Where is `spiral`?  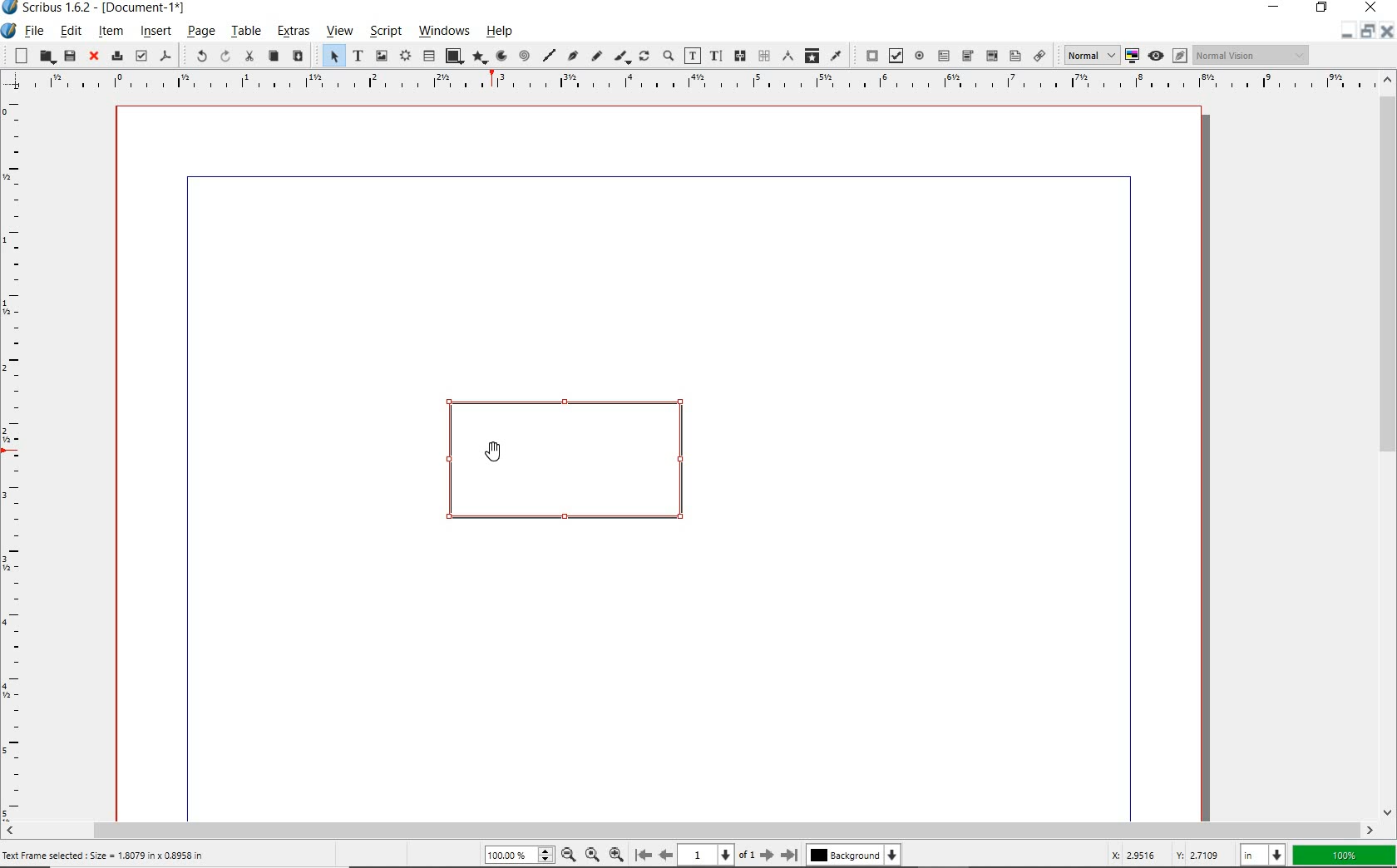 spiral is located at coordinates (525, 55).